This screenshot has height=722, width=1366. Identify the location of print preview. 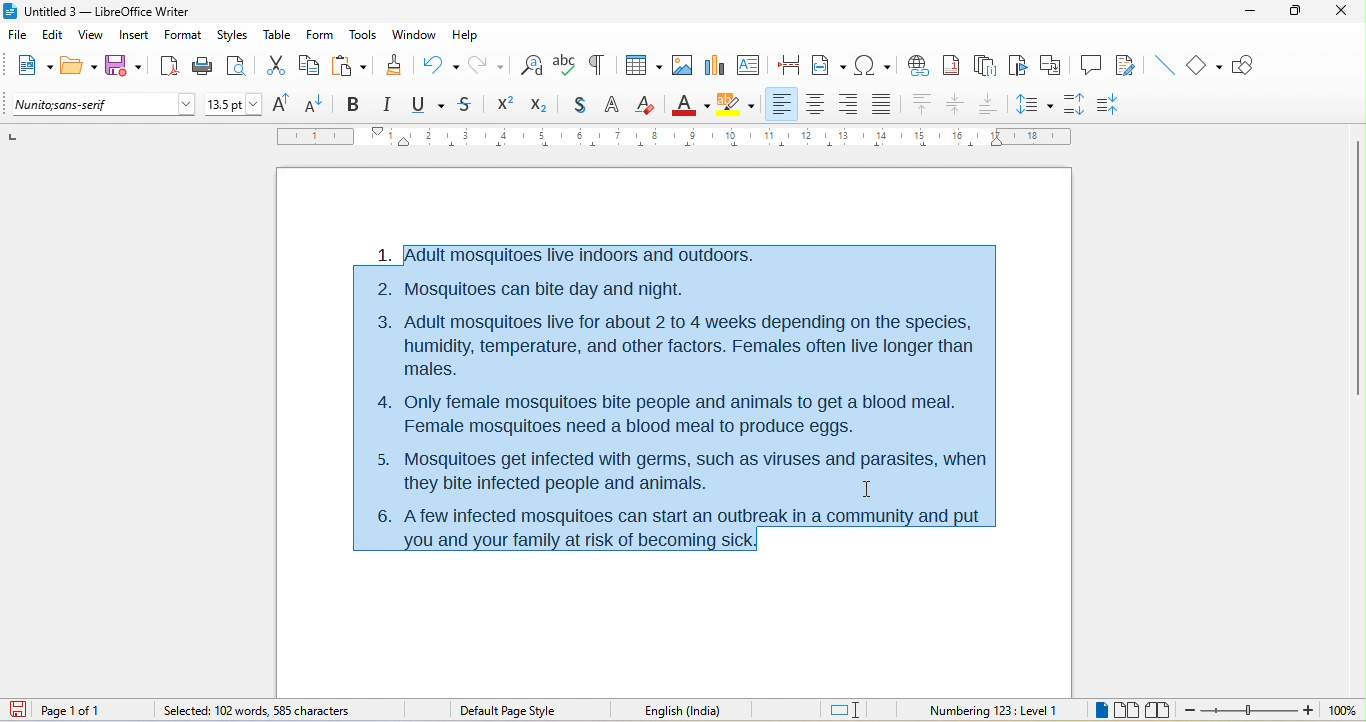
(241, 64).